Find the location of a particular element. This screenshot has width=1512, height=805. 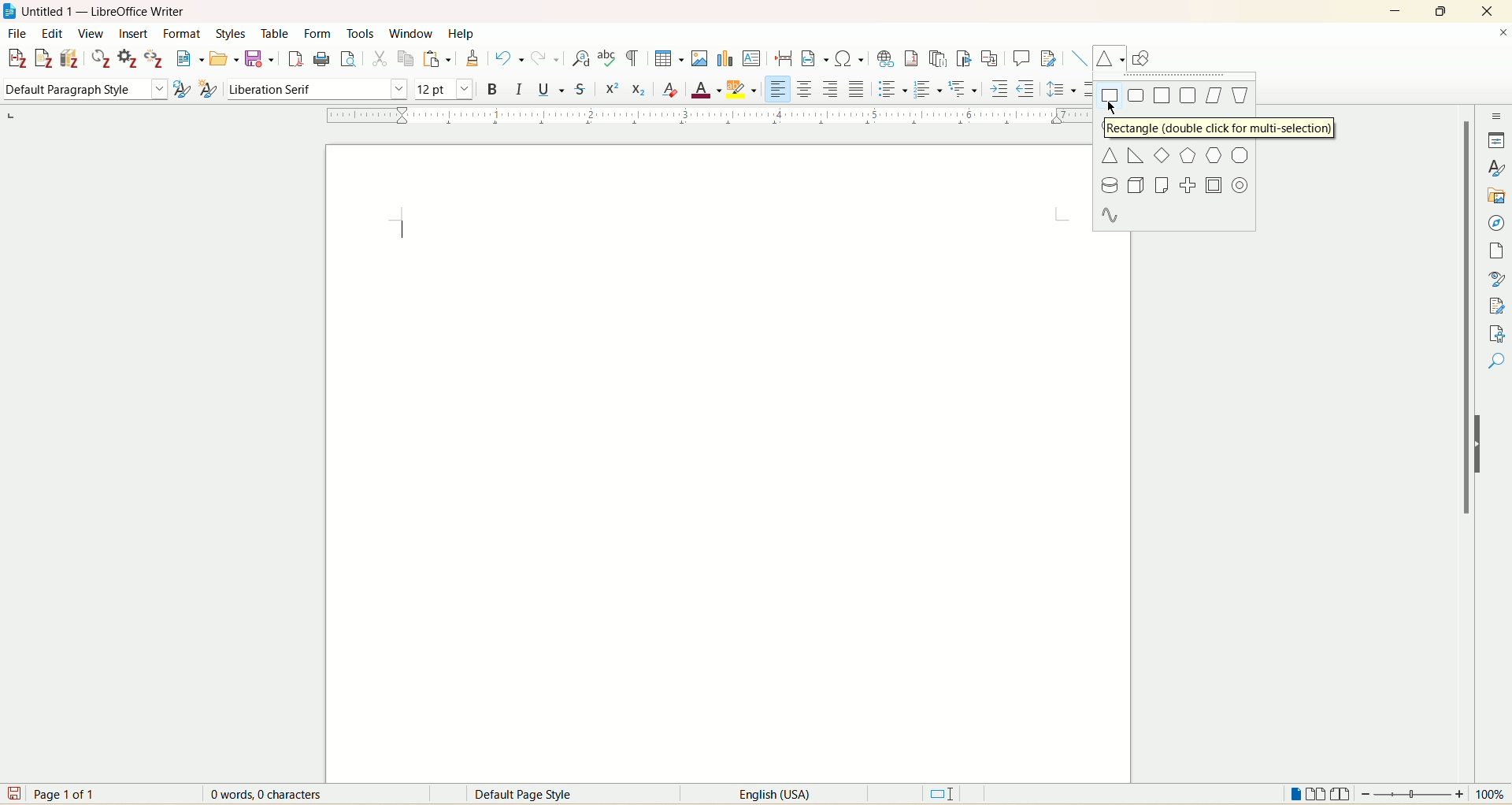

insert bookmark is located at coordinates (966, 59).